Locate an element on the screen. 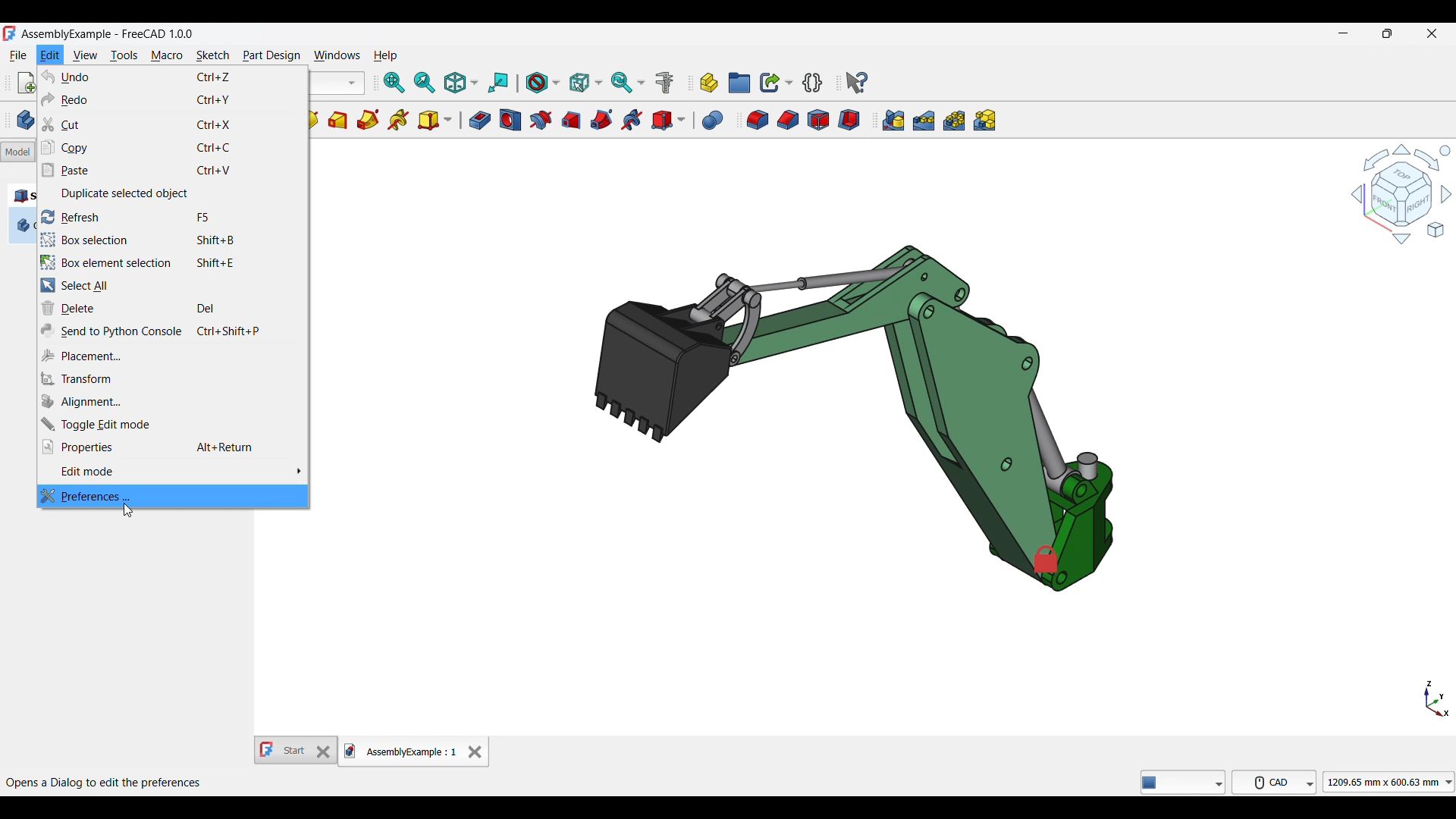  Draft is located at coordinates (819, 120).